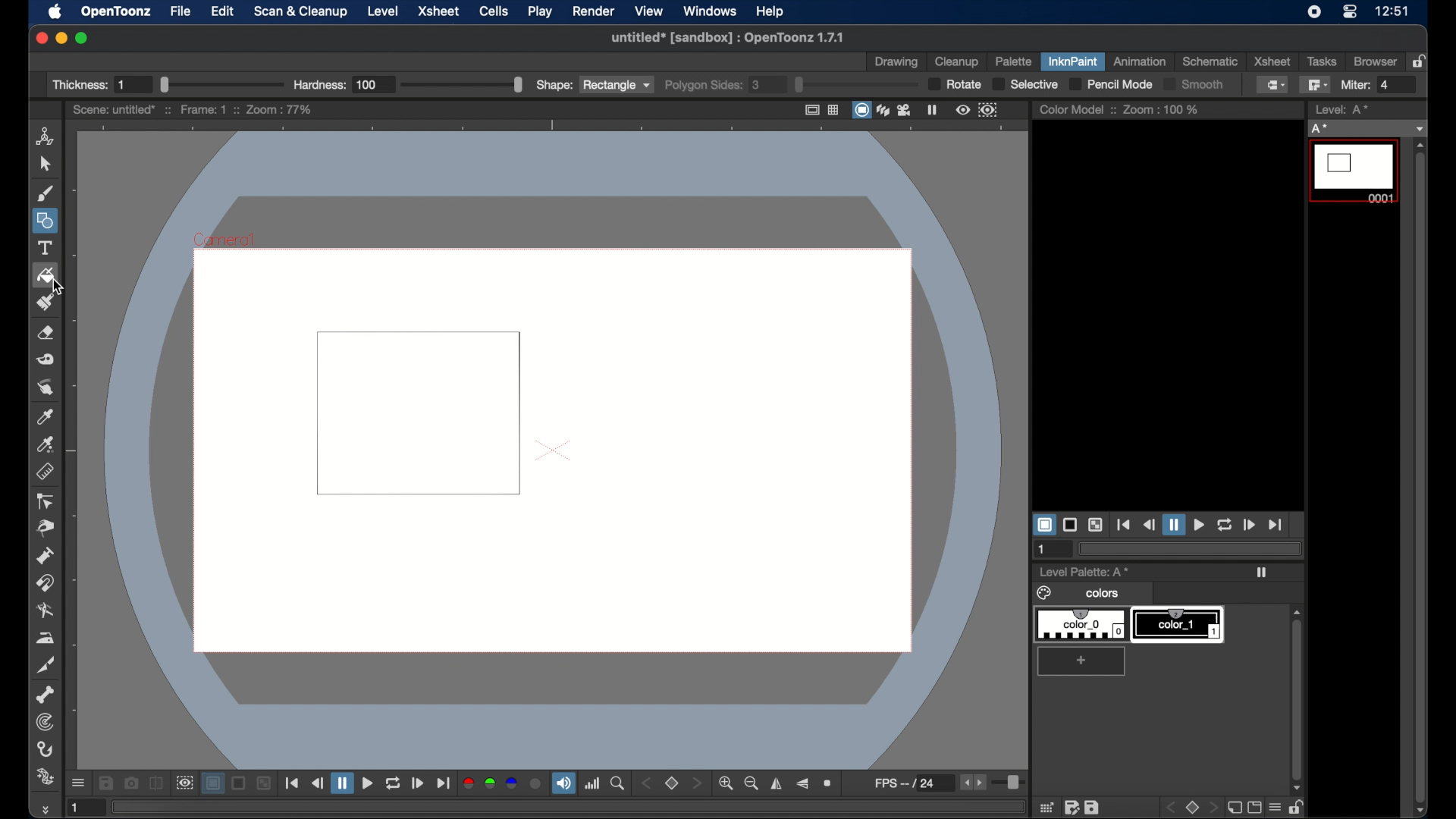 Image resolution: width=1456 pixels, height=819 pixels. Describe the element at coordinates (592, 85) in the screenshot. I see `shape` at that location.